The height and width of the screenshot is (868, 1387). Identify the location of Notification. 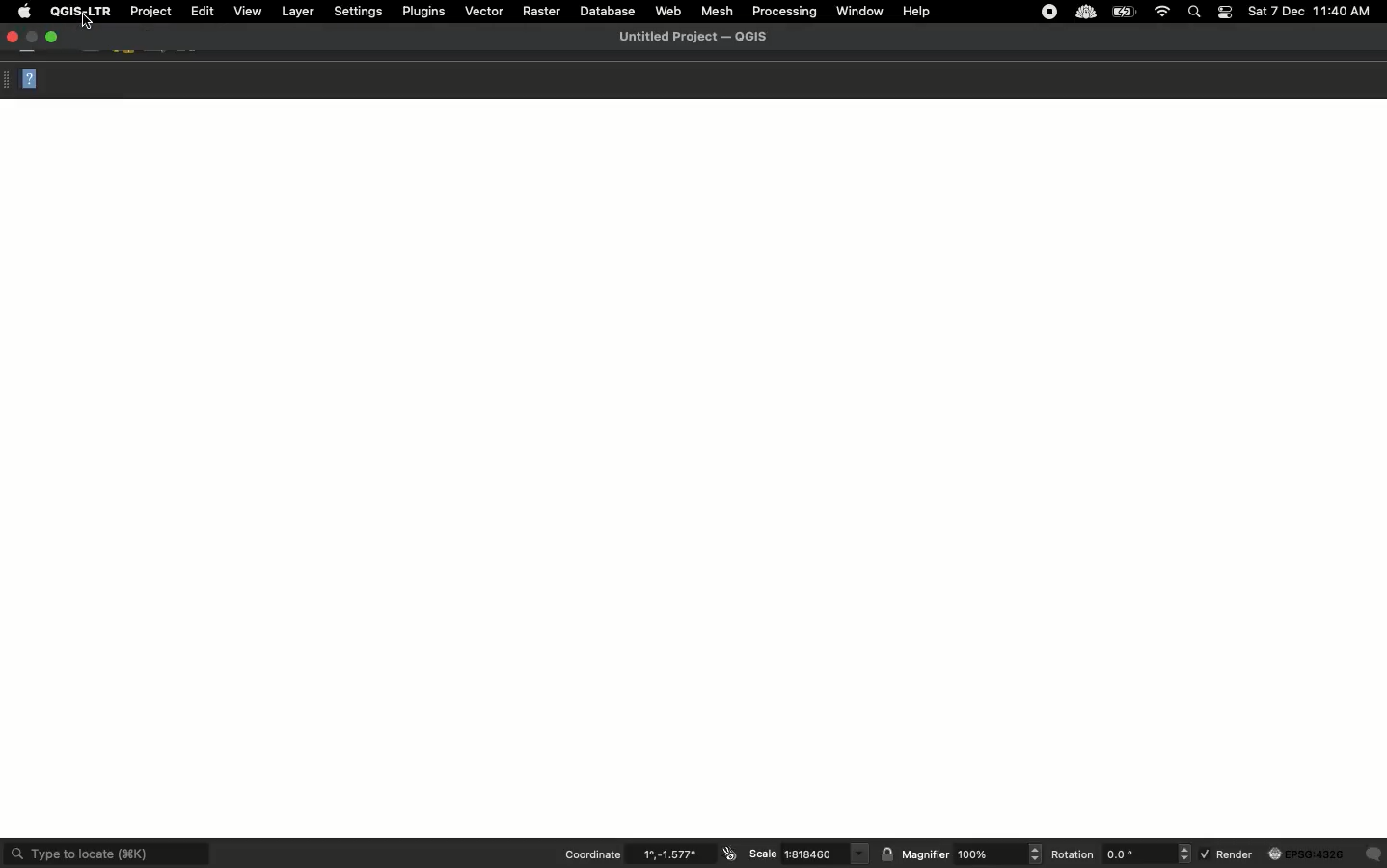
(1223, 14).